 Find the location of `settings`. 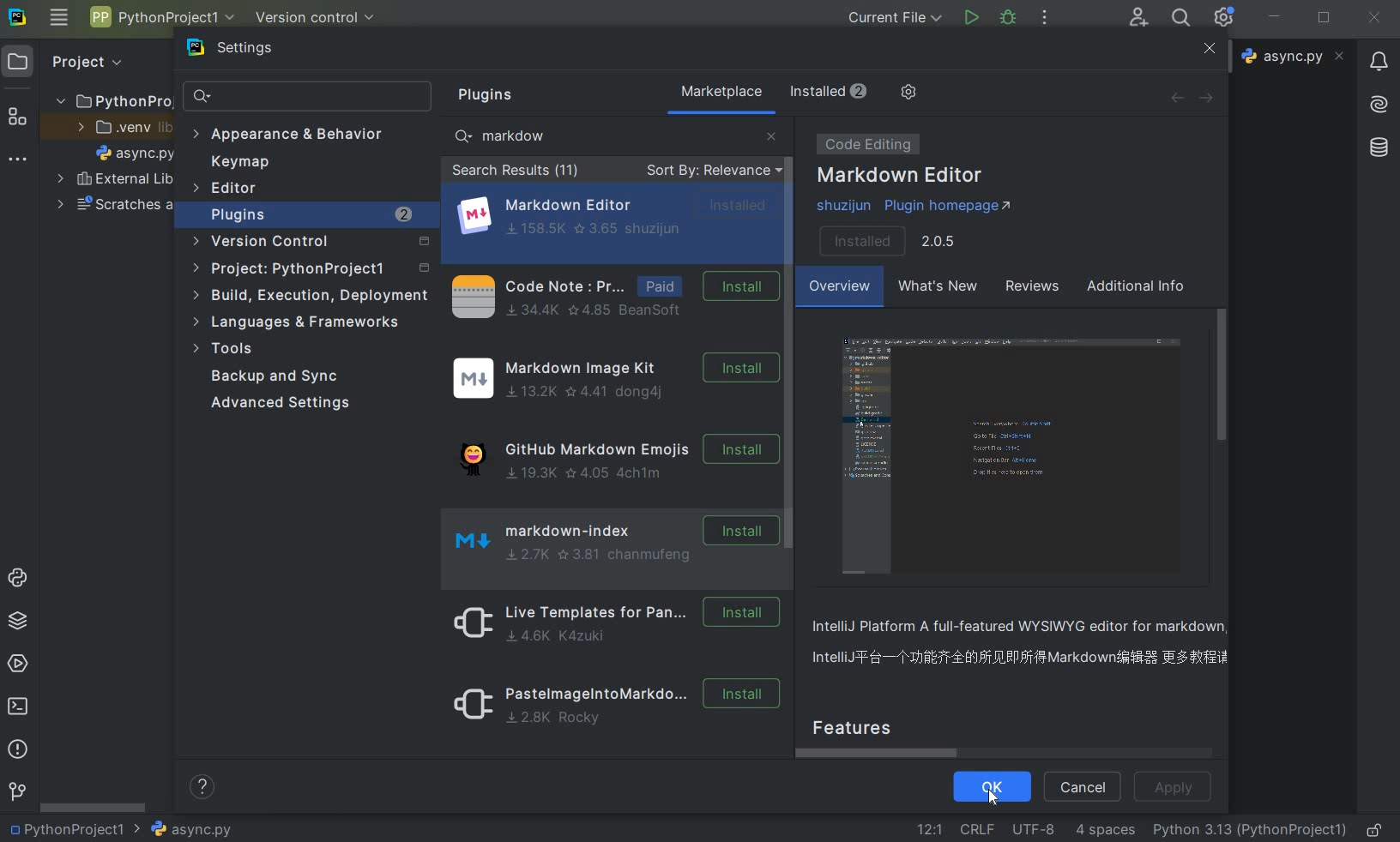

settings is located at coordinates (246, 51).